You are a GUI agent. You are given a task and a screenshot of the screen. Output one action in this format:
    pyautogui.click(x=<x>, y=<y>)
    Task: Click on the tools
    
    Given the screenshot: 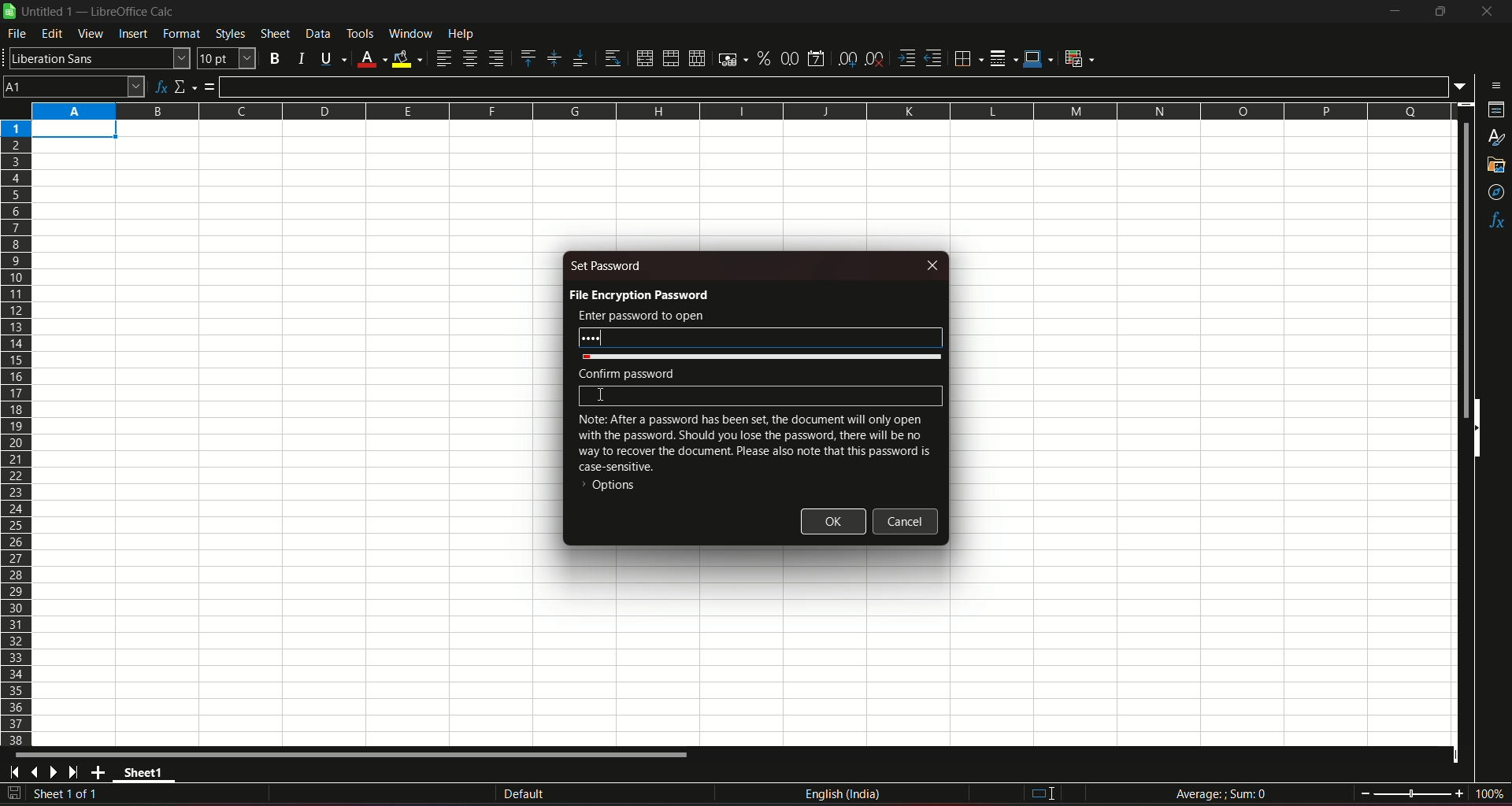 What is the action you would take?
    pyautogui.click(x=361, y=33)
    